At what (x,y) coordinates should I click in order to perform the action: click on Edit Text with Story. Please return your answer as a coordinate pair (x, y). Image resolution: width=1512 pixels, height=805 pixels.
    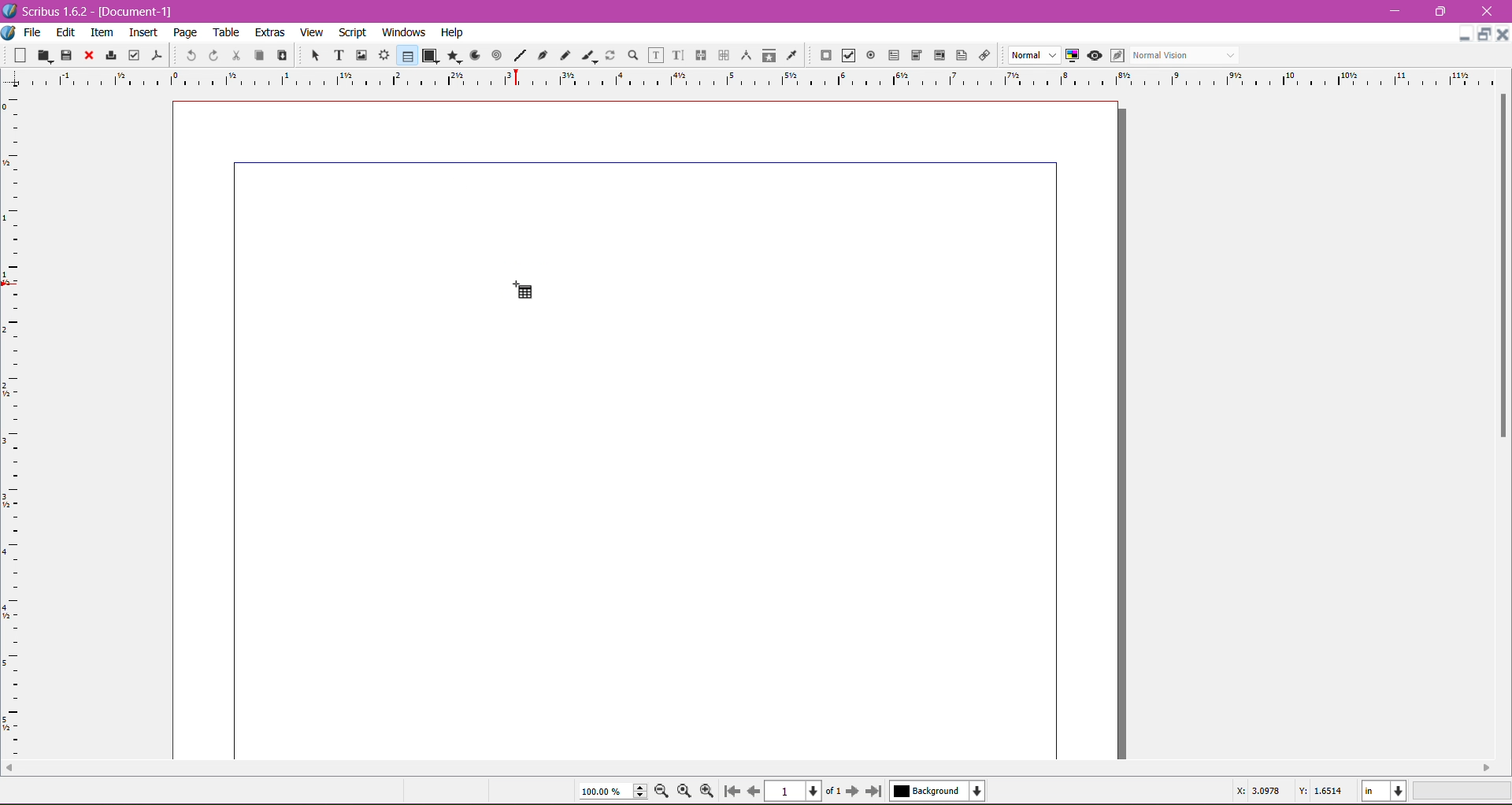
    Looking at the image, I should click on (678, 55).